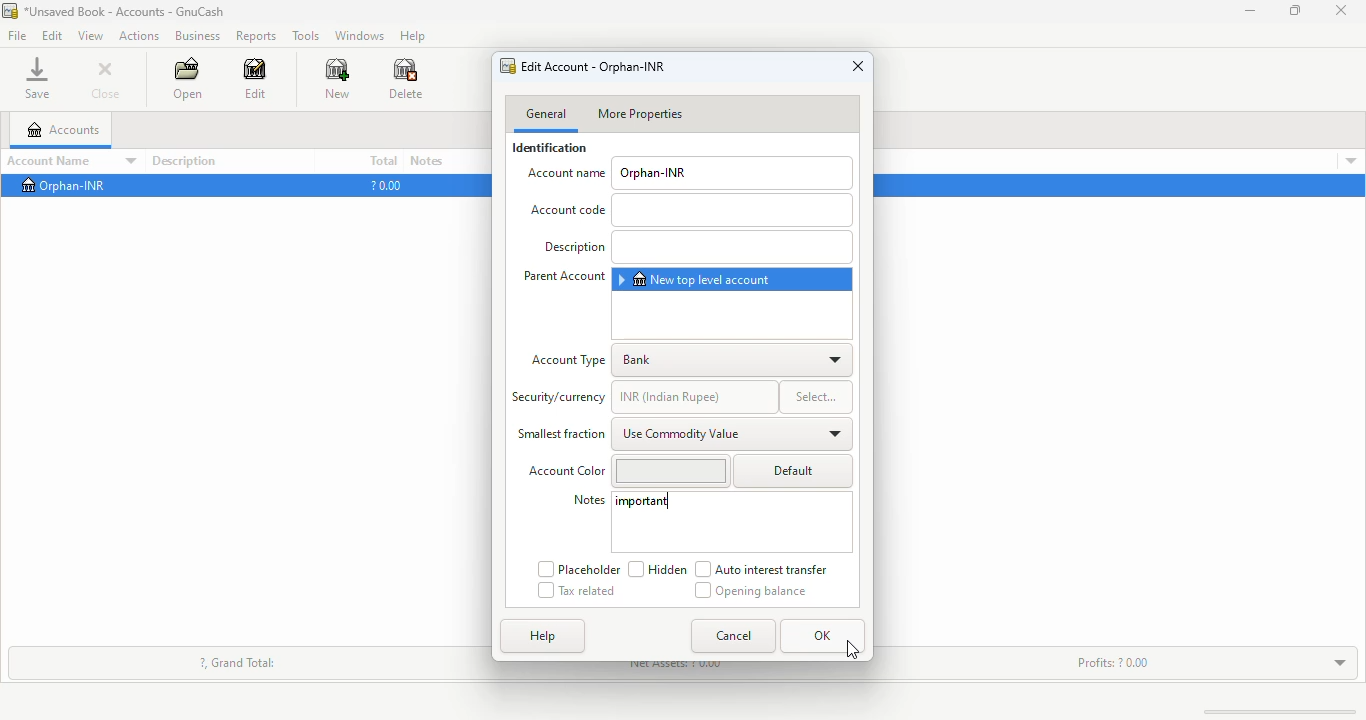 The image size is (1366, 720). Describe the element at coordinates (732, 636) in the screenshot. I see `cancel` at that location.